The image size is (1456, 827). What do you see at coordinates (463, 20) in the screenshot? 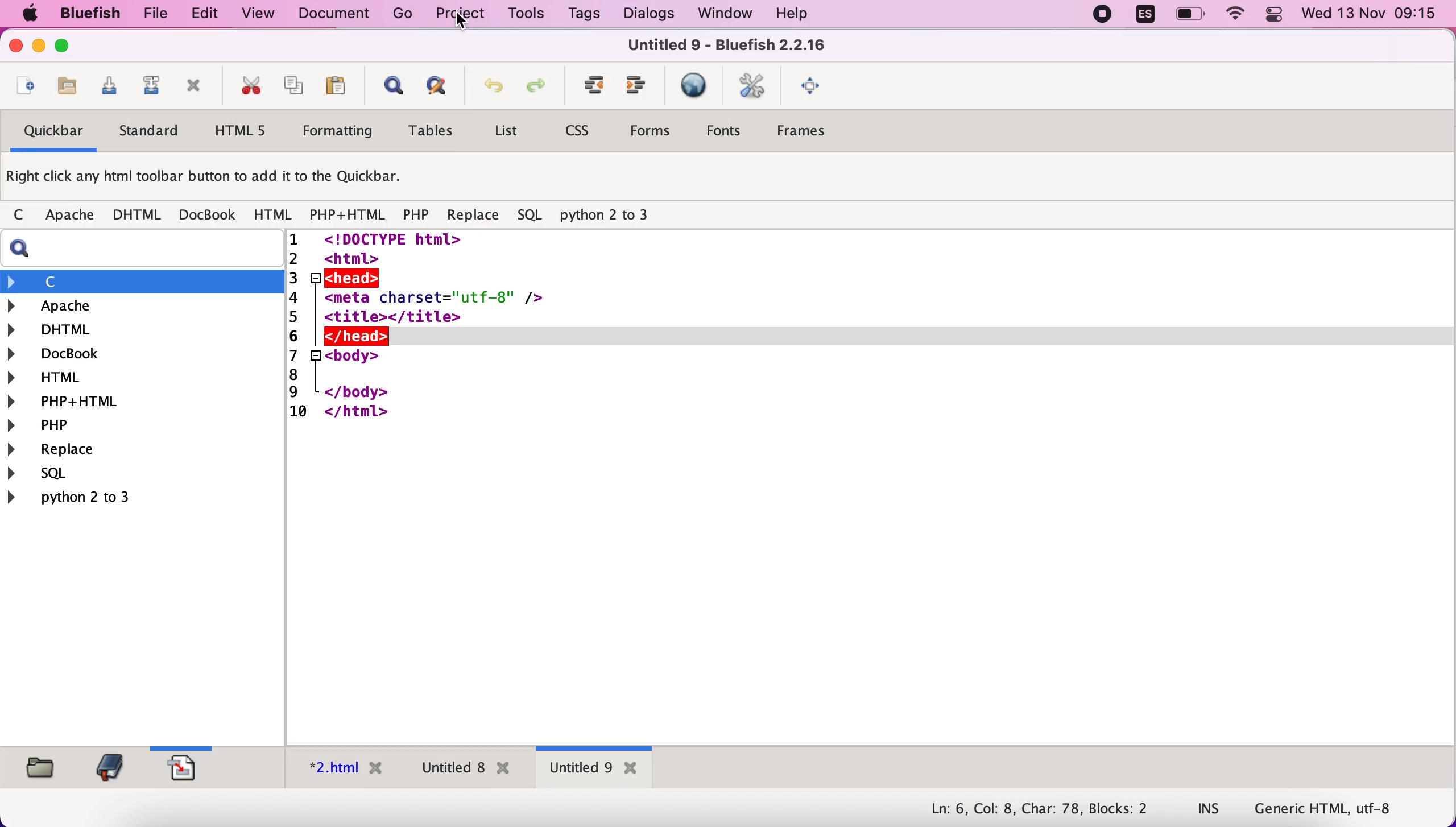
I see `cursor` at bounding box center [463, 20].